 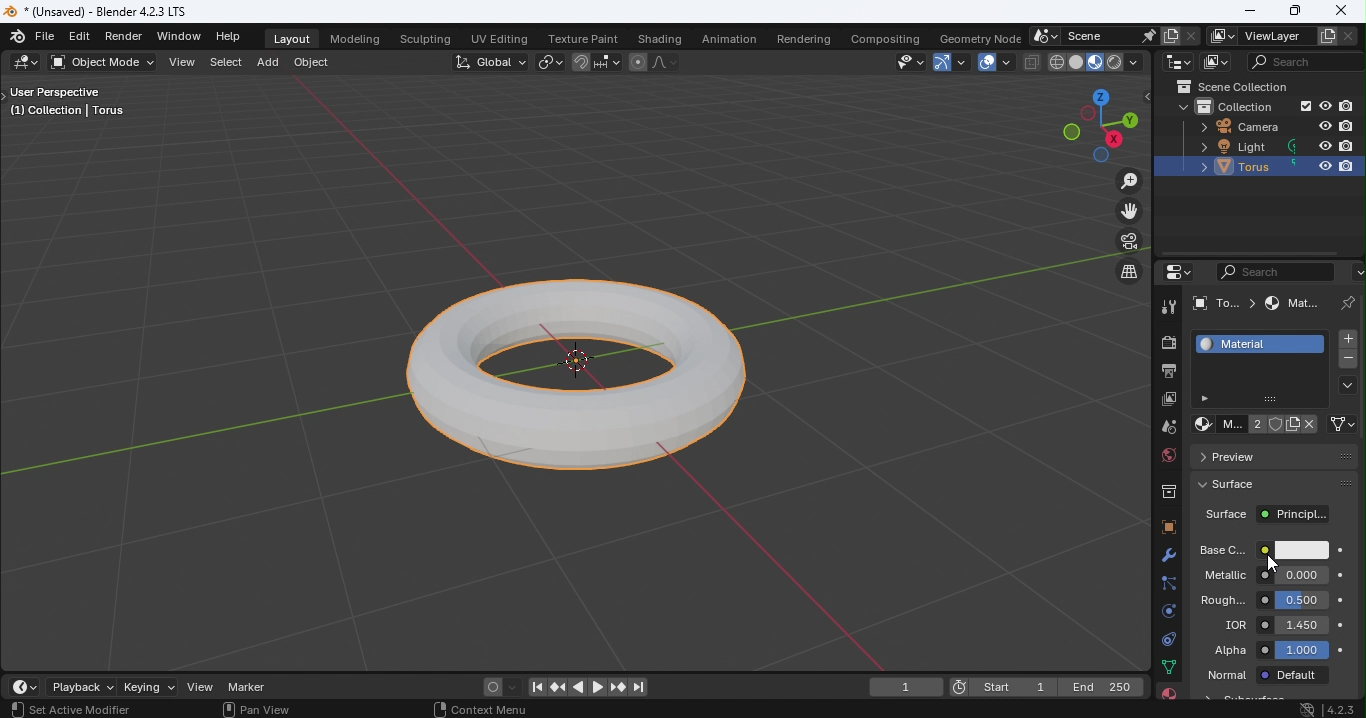 What do you see at coordinates (1220, 36) in the screenshot?
I see `The active workspace view layer showing in the window` at bounding box center [1220, 36].